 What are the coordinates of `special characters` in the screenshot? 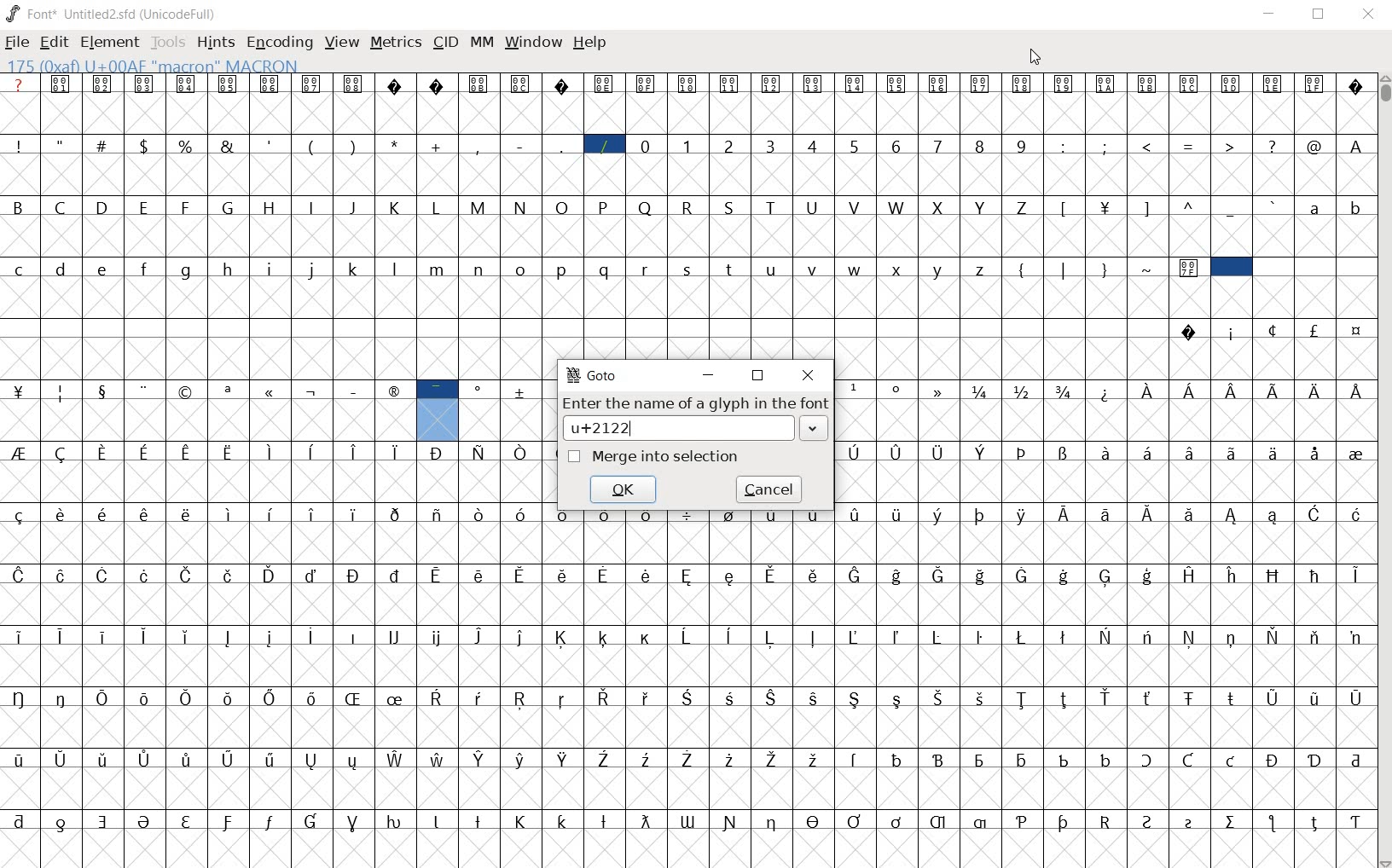 It's located at (273, 472).